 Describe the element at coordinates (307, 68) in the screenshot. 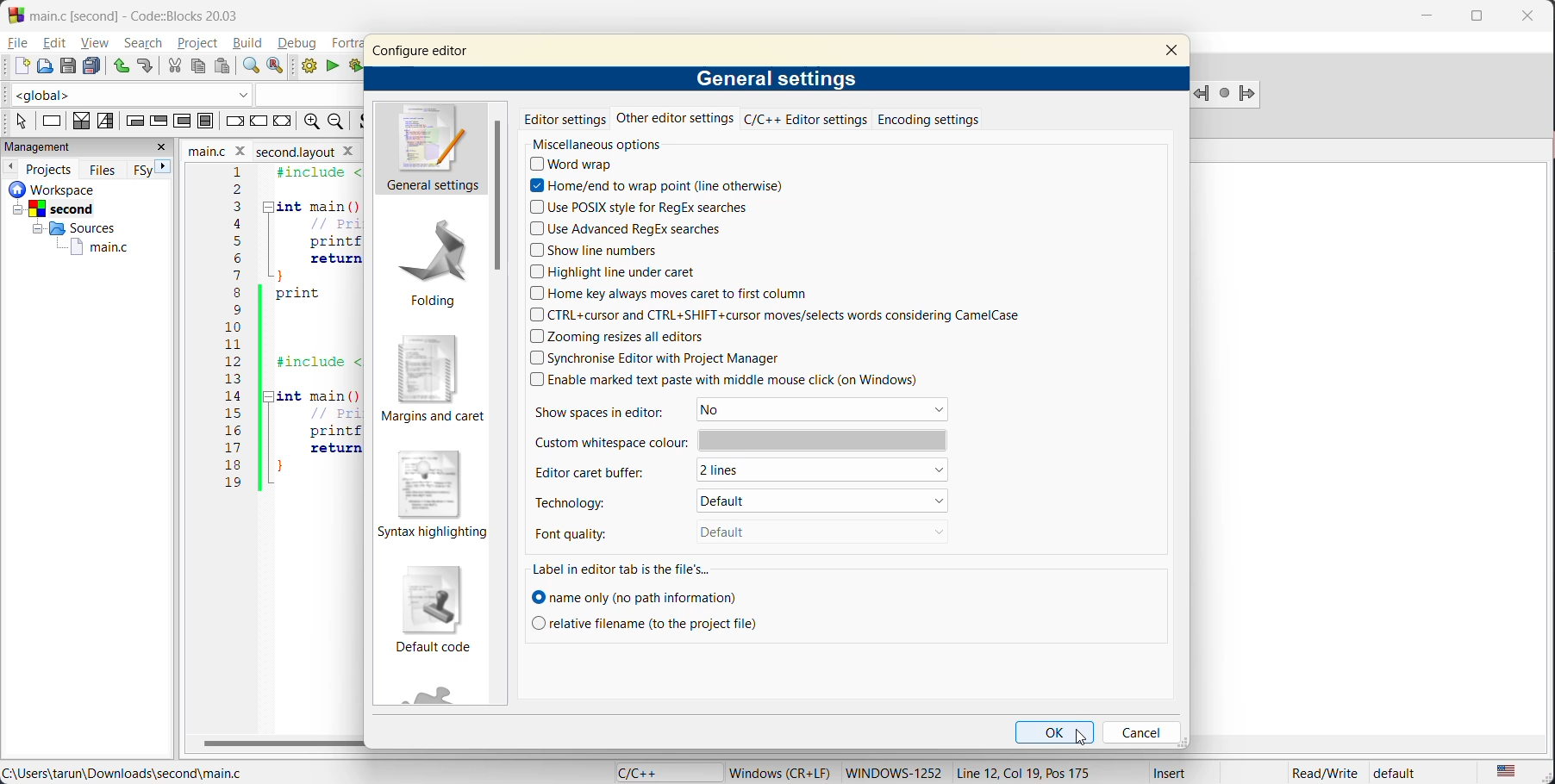

I see `build` at that location.